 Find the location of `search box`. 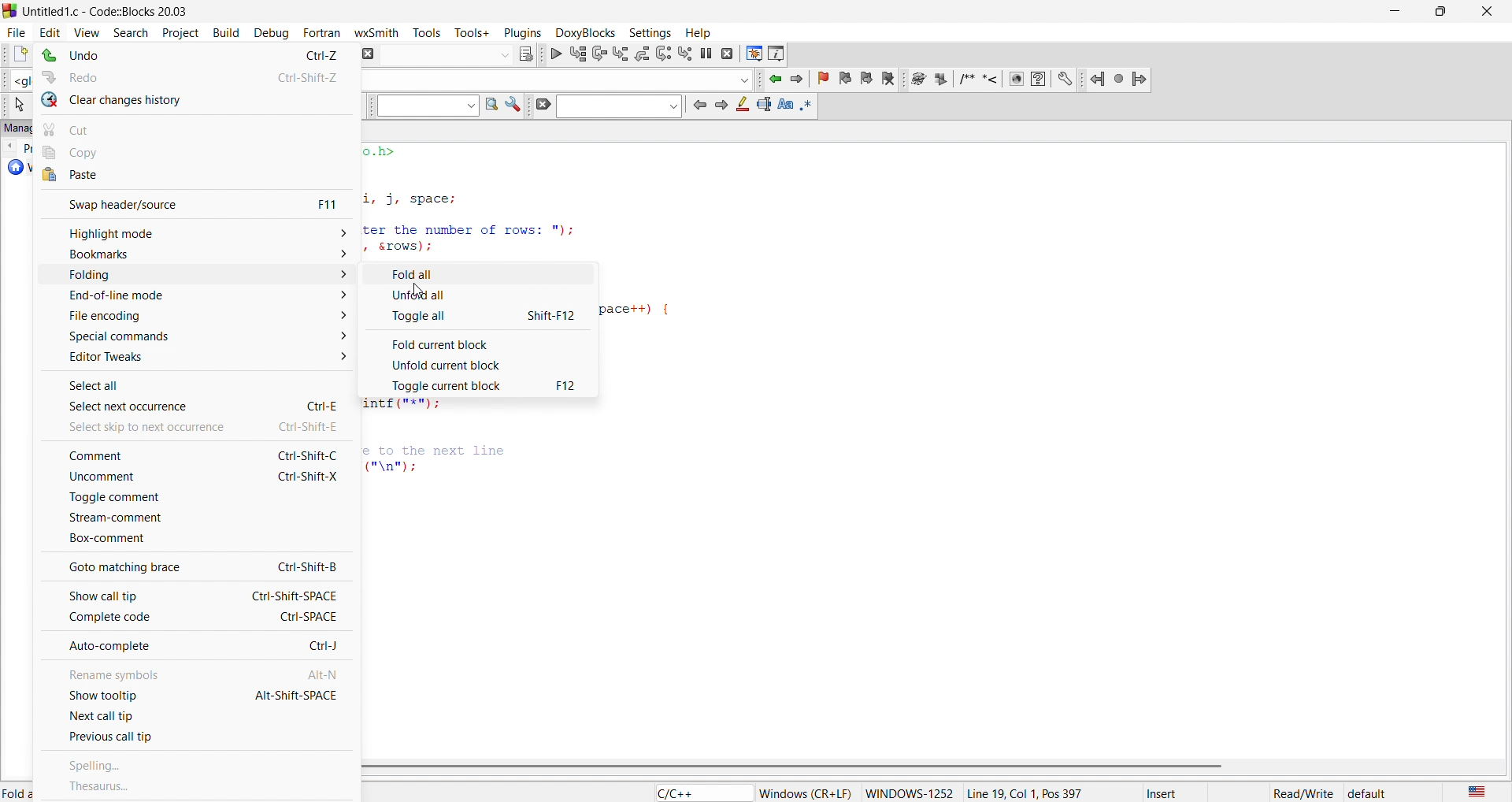

search box is located at coordinates (423, 106).